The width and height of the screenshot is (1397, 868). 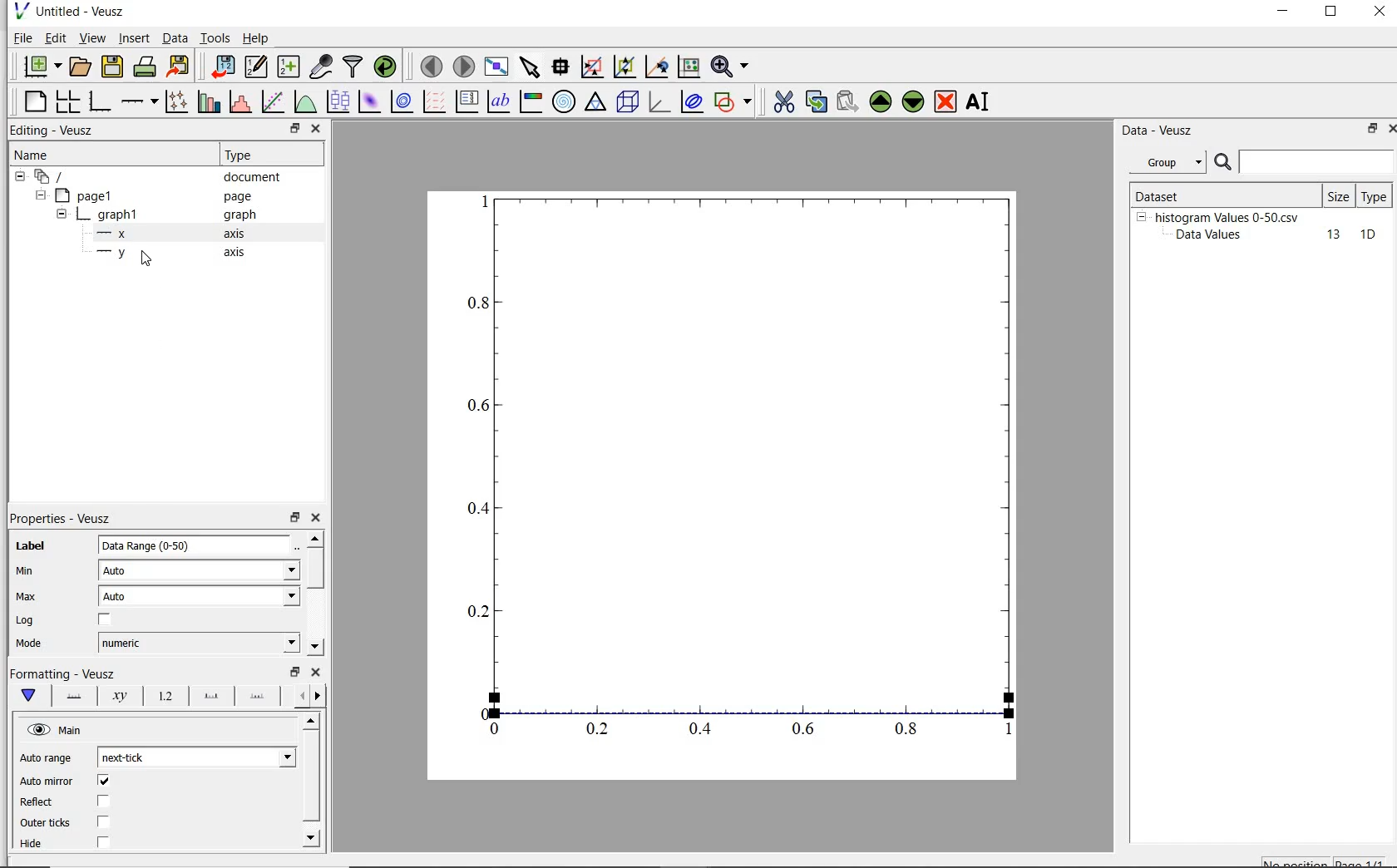 What do you see at coordinates (24, 621) in the screenshot?
I see `Log` at bounding box center [24, 621].